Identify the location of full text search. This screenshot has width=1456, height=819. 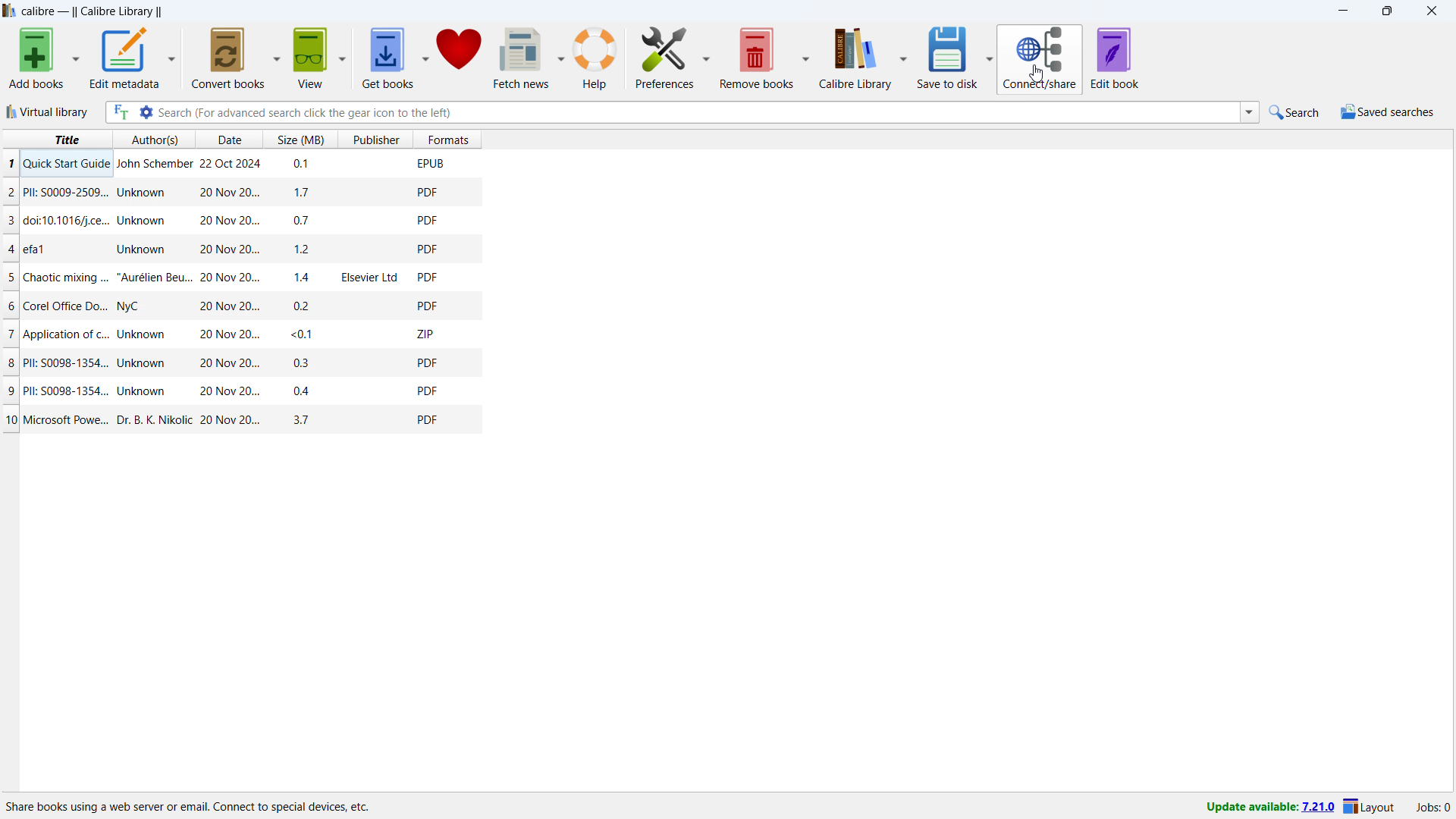
(119, 111).